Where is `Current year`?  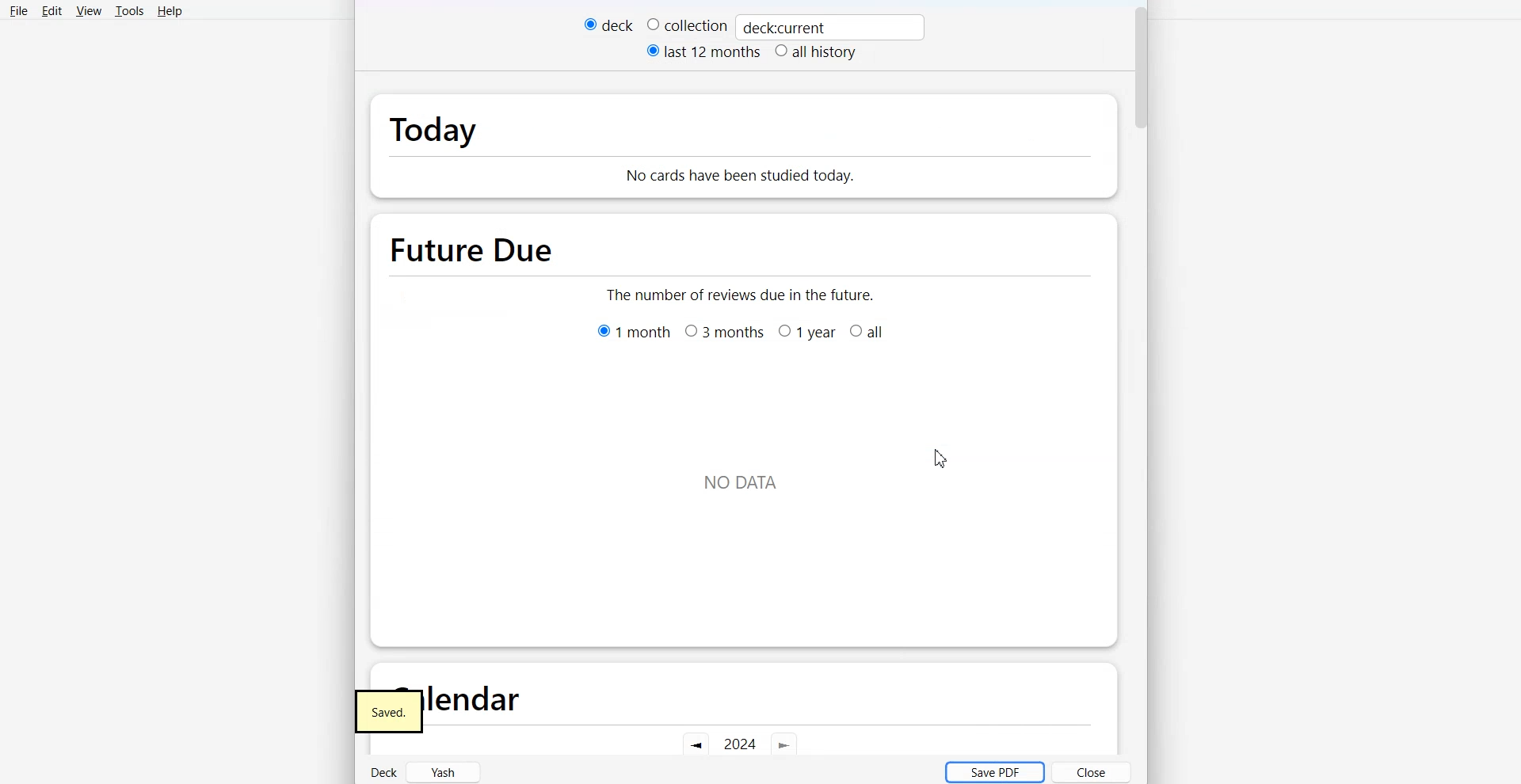 Current year is located at coordinates (740, 744).